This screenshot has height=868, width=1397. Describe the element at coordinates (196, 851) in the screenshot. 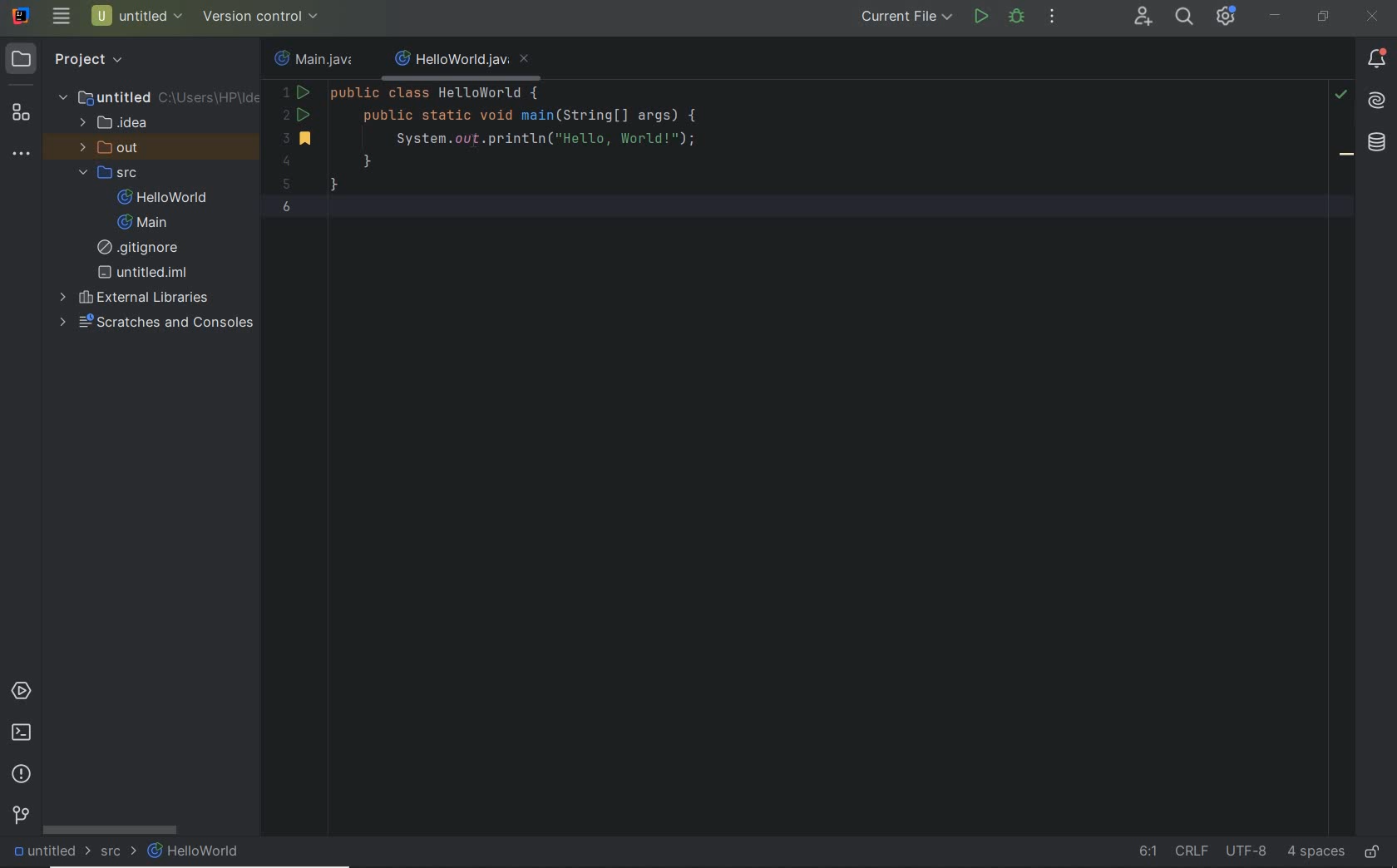

I see `HelloWorld` at that location.